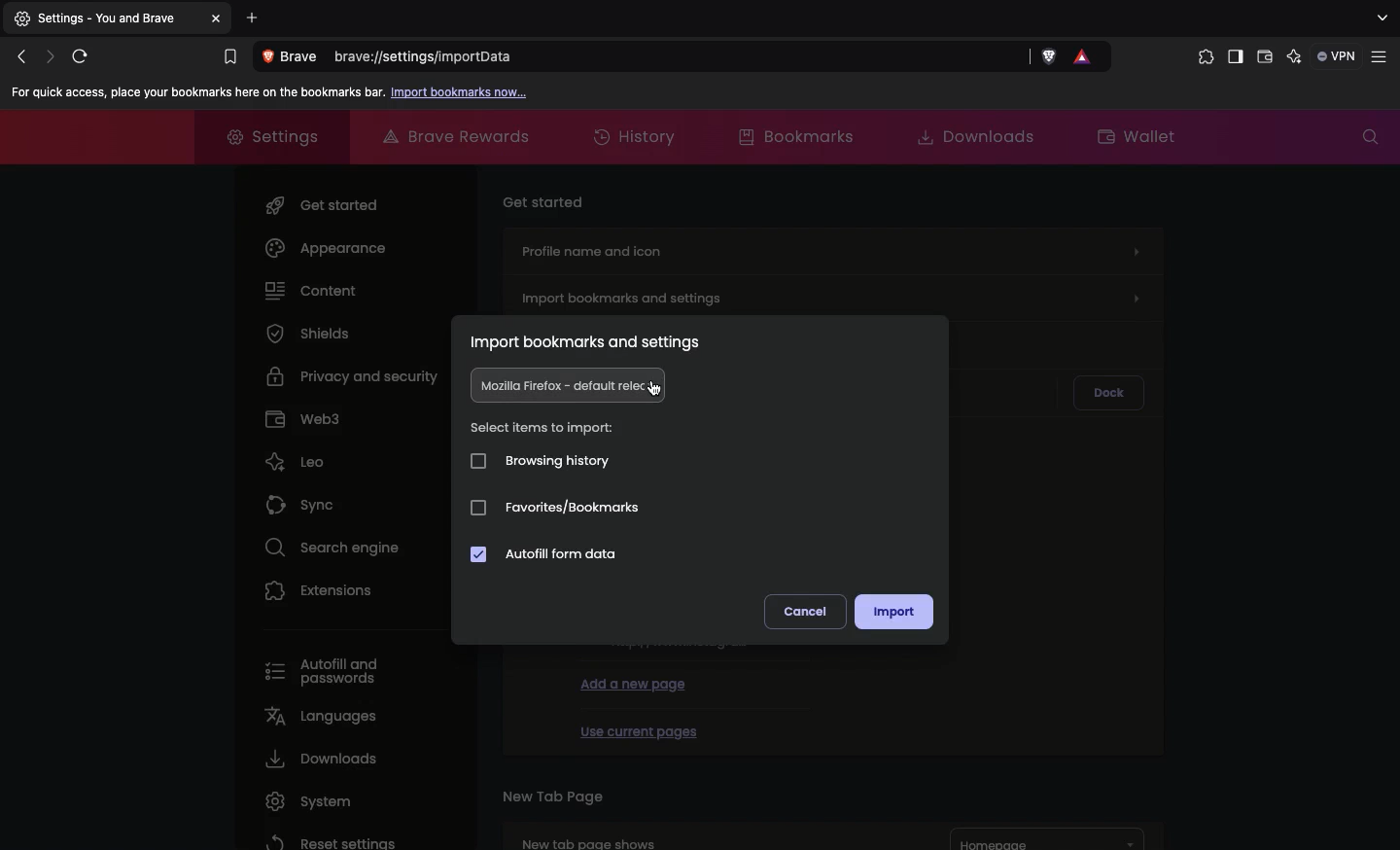 The image size is (1400, 850). What do you see at coordinates (968, 135) in the screenshot?
I see `Downloads` at bounding box center [968, 135].